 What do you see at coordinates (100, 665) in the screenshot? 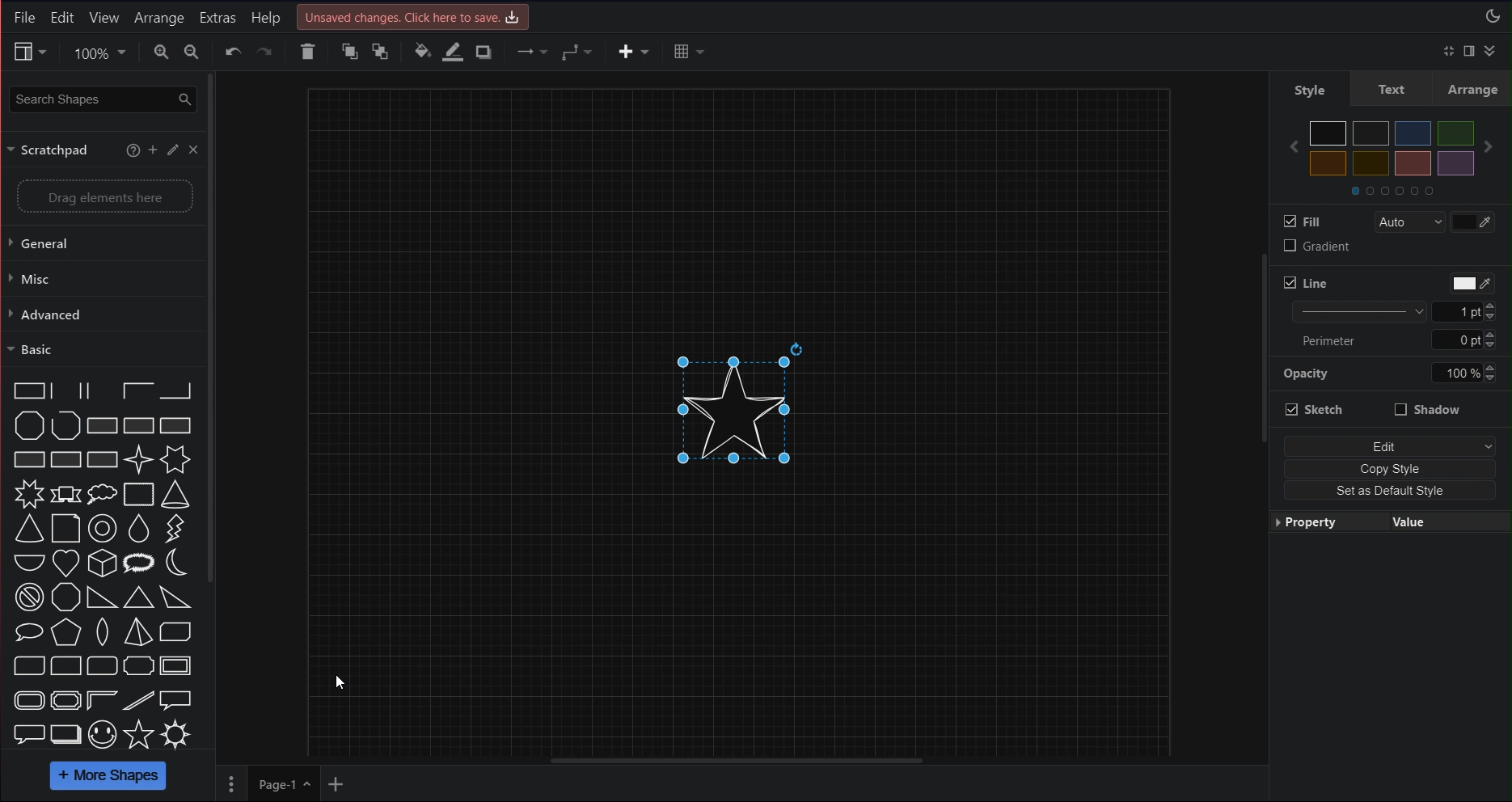
I see `rounded rectangle (three corners)` at bounding box center [100, 665].